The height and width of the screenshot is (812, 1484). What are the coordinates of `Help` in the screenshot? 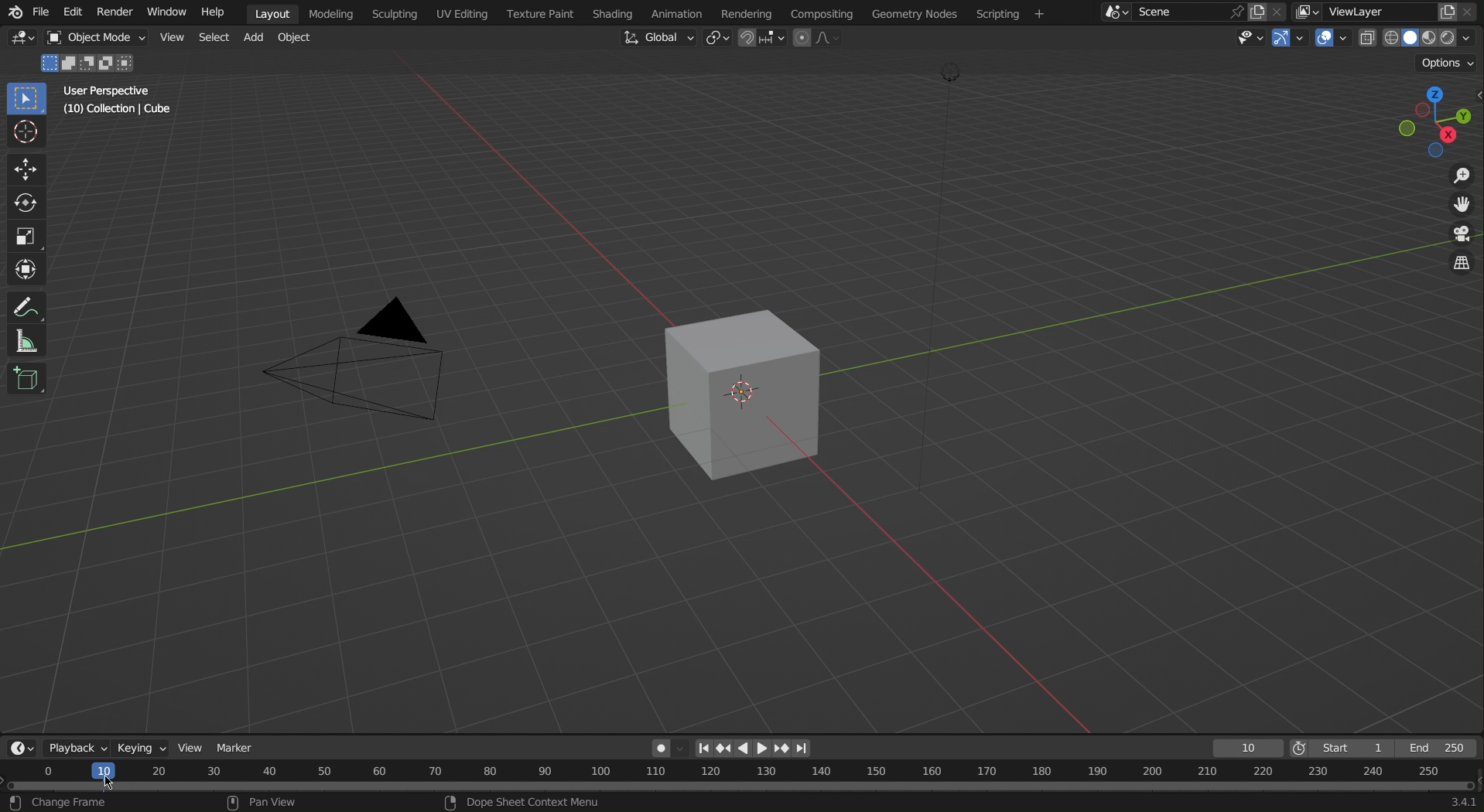 It's located at (214, 12).